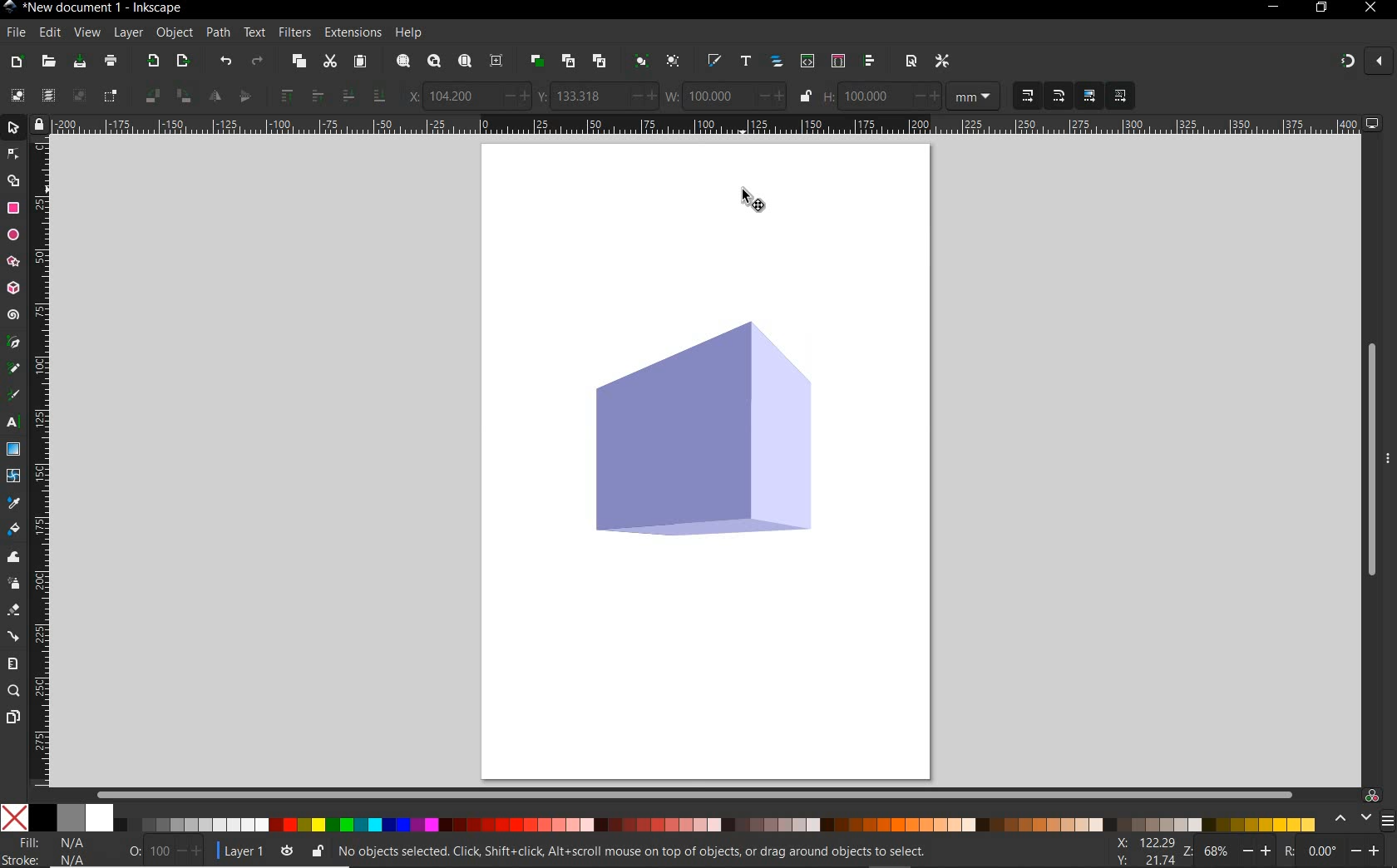 The image size is (1397, 868). Describe the element at coordinates (1366, 851) in the screenshot. I see `increase/decrease` at that location.